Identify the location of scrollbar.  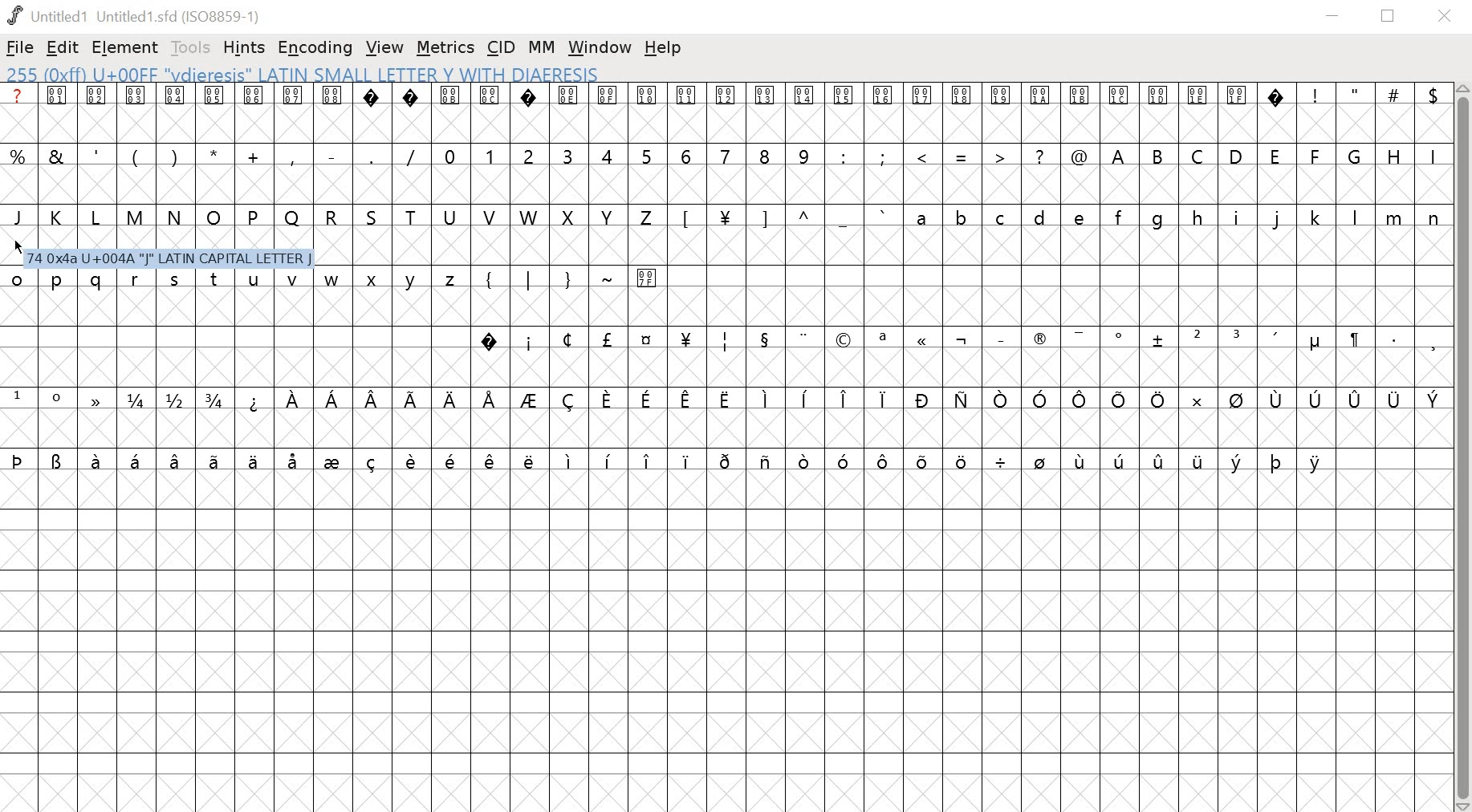
(1463, 448).